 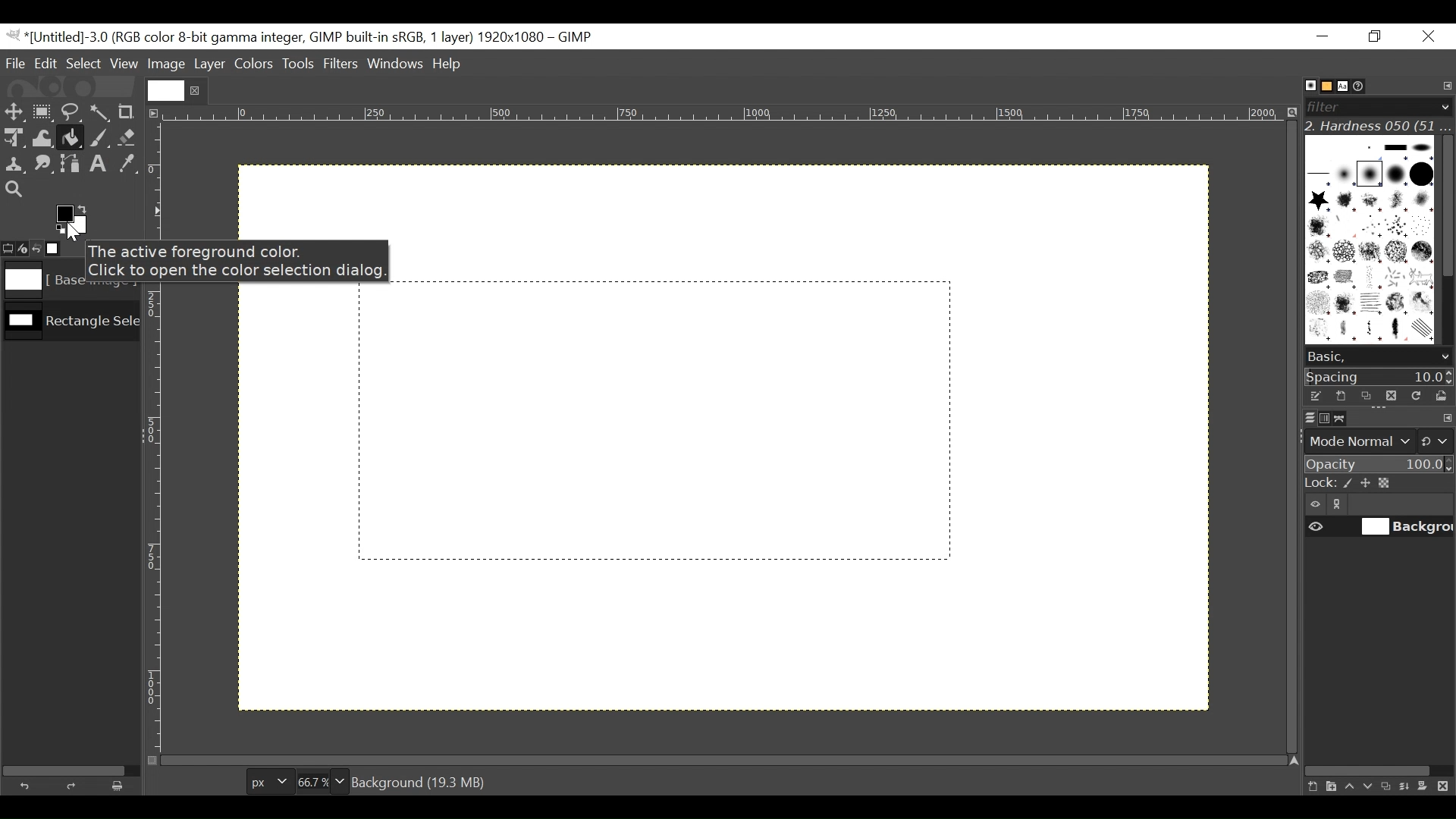 I want to click on Clone tool, so click(x=14, y=165).